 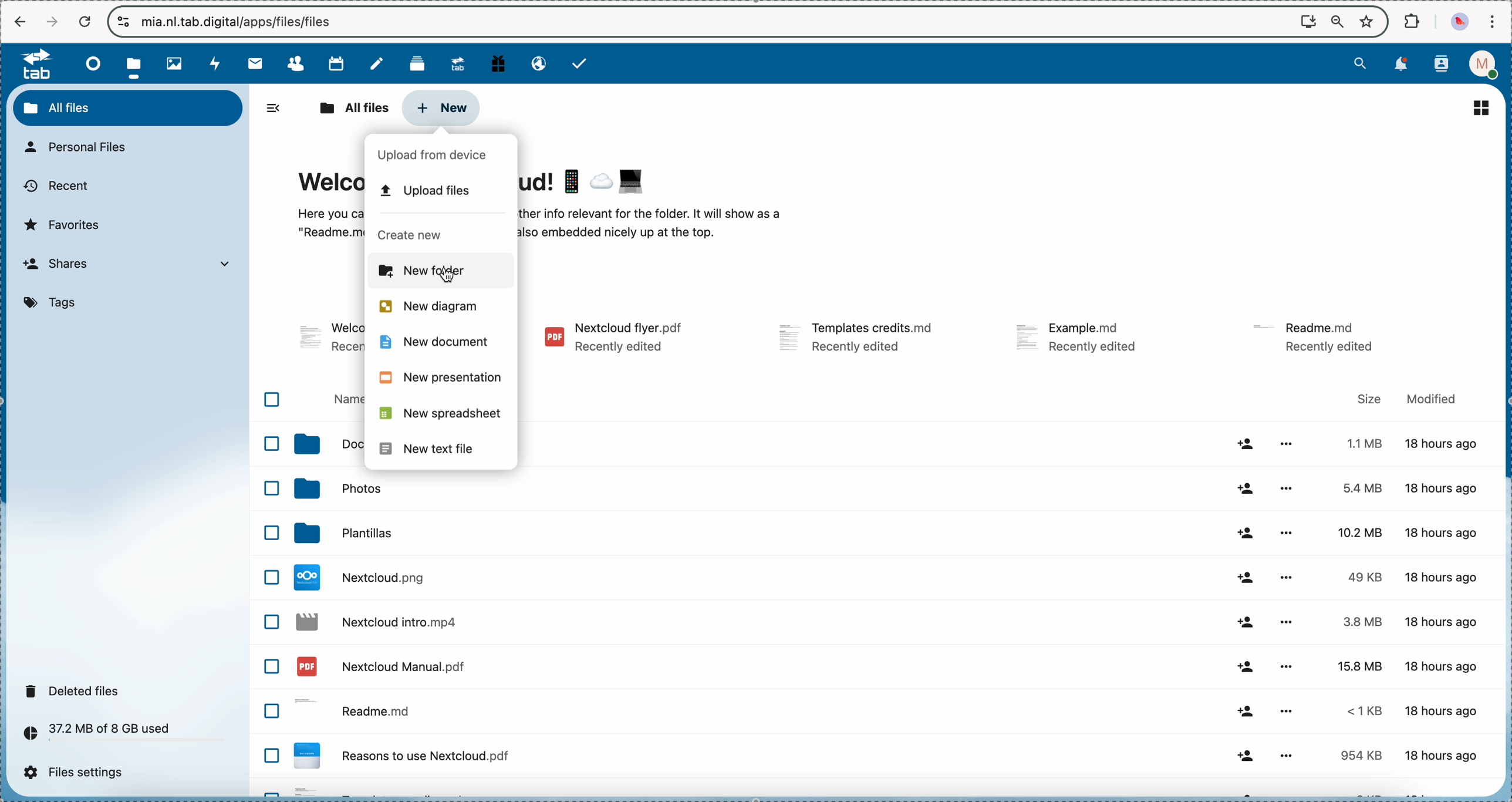 What do you see at coordinates (438, 378) in the screenshot?
I see `new presentation` at bounding box center [438, 378].